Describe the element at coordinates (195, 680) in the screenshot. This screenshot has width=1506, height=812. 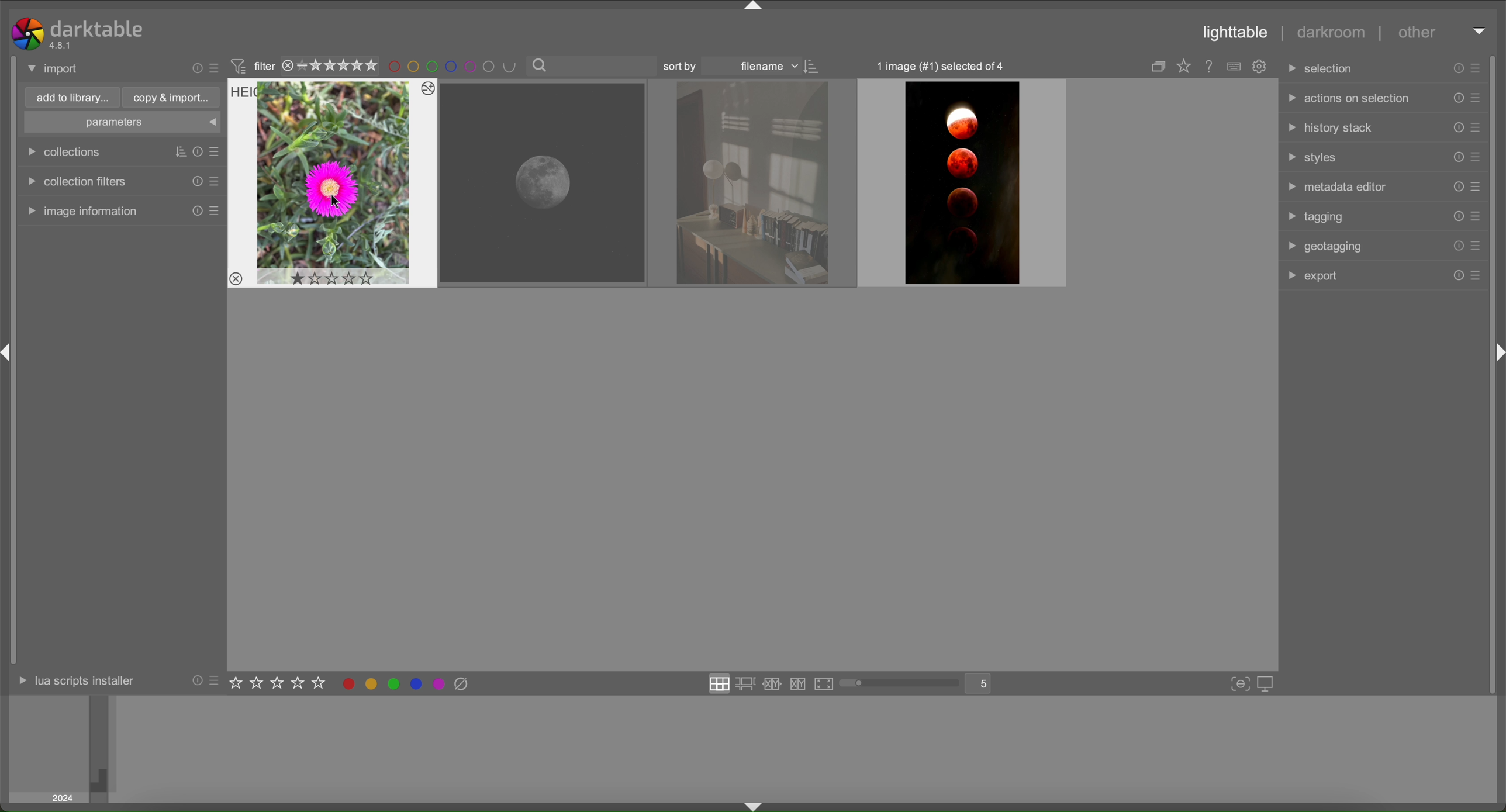
I see `reset presets` at that location.